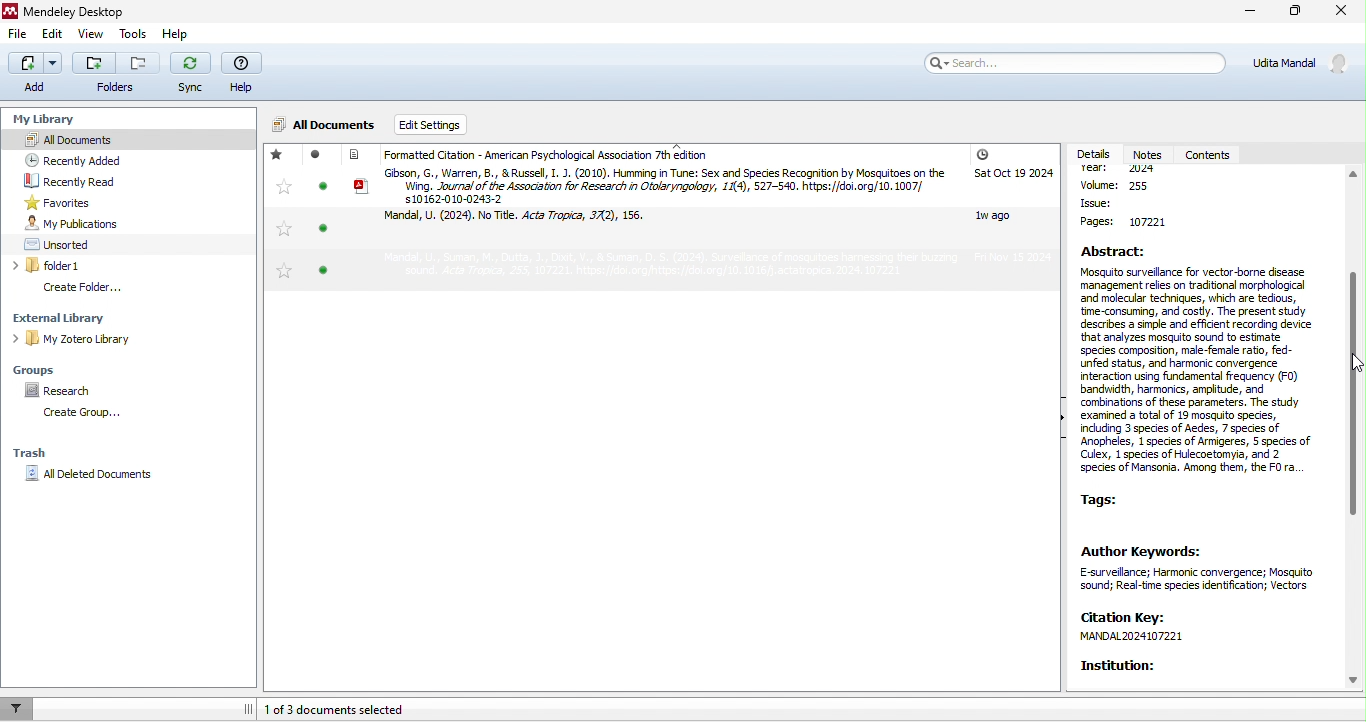 This screenshot has width=1366, height=722. Describe the element at coordinates (191, 75) in the screenshot. I see `sync` at that location.